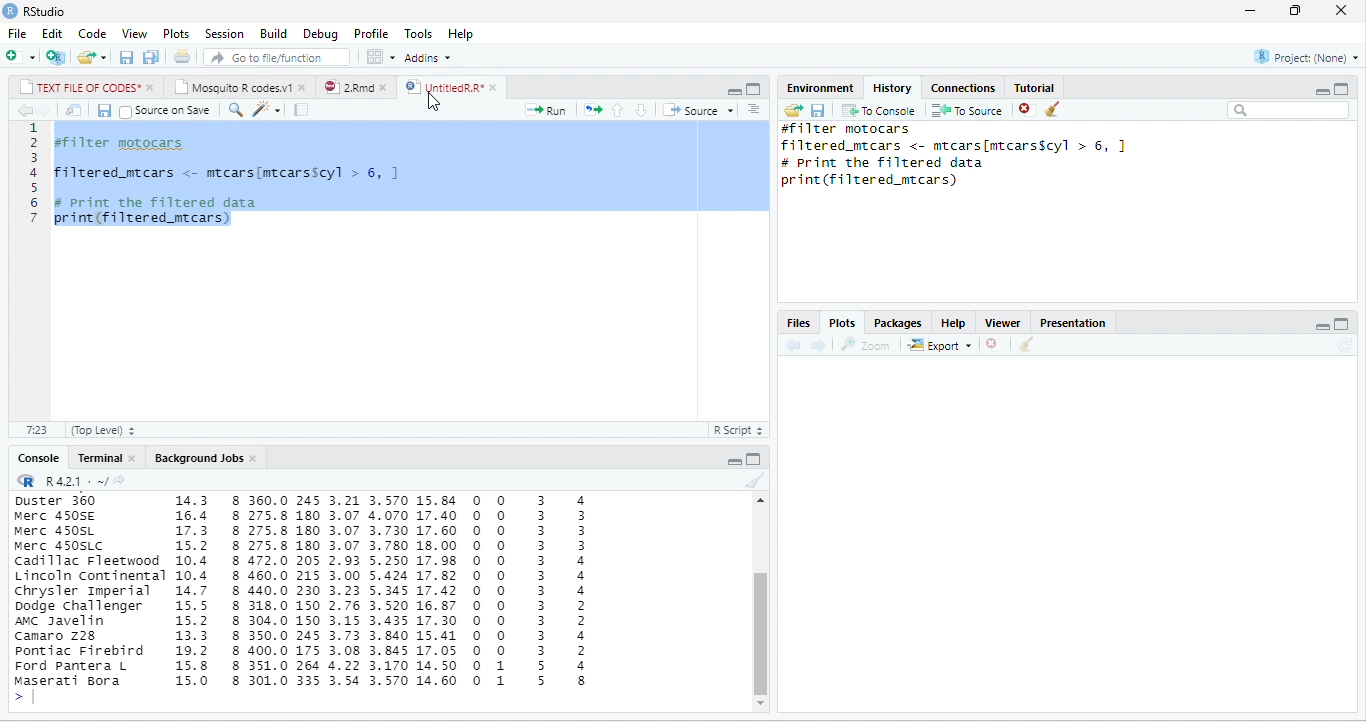  Describe the element at coordinates (301, 109) in the screenshot. I see `compile report` at that location.